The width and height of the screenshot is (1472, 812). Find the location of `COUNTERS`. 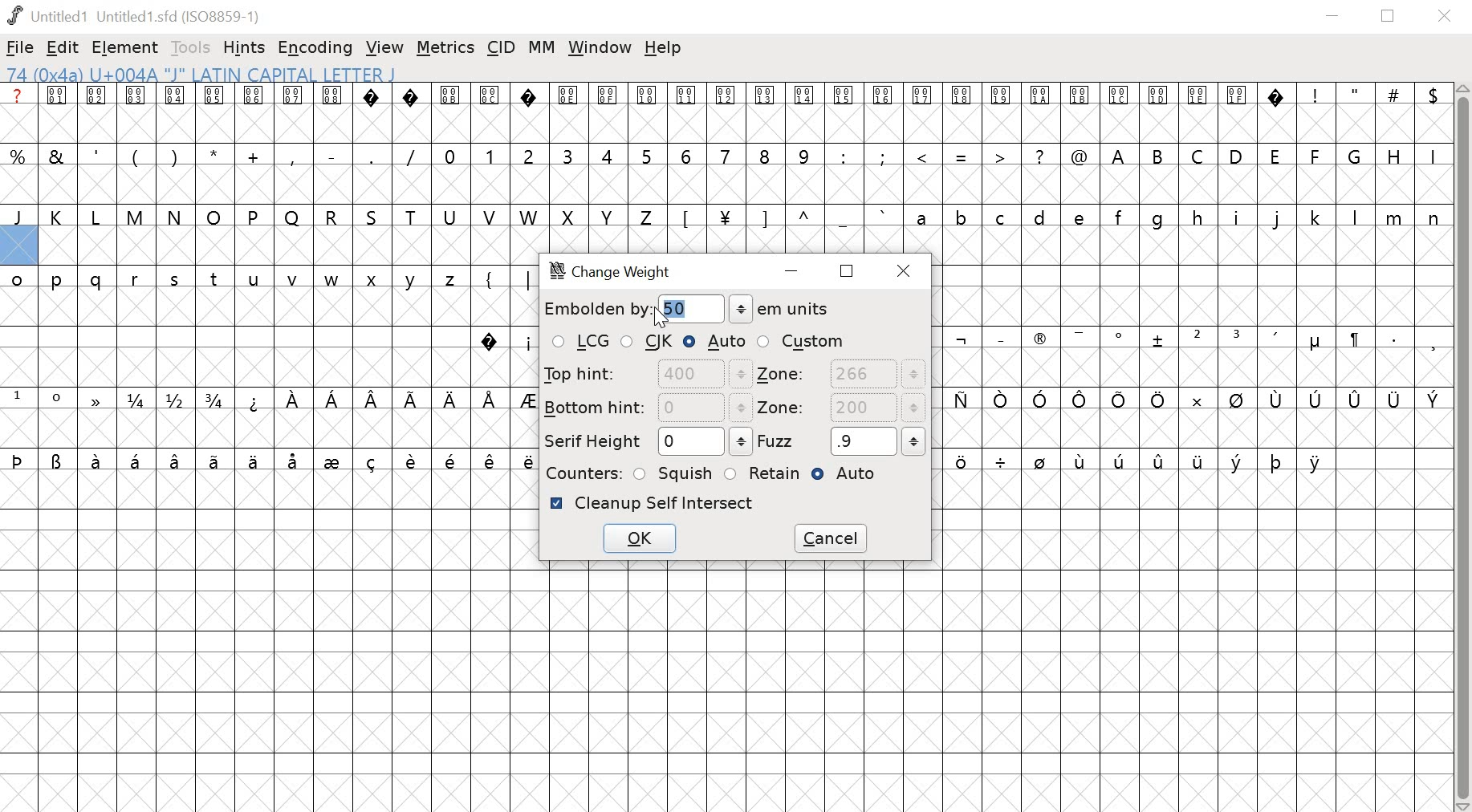

COUNTERS is located at coordinates (581, 473).